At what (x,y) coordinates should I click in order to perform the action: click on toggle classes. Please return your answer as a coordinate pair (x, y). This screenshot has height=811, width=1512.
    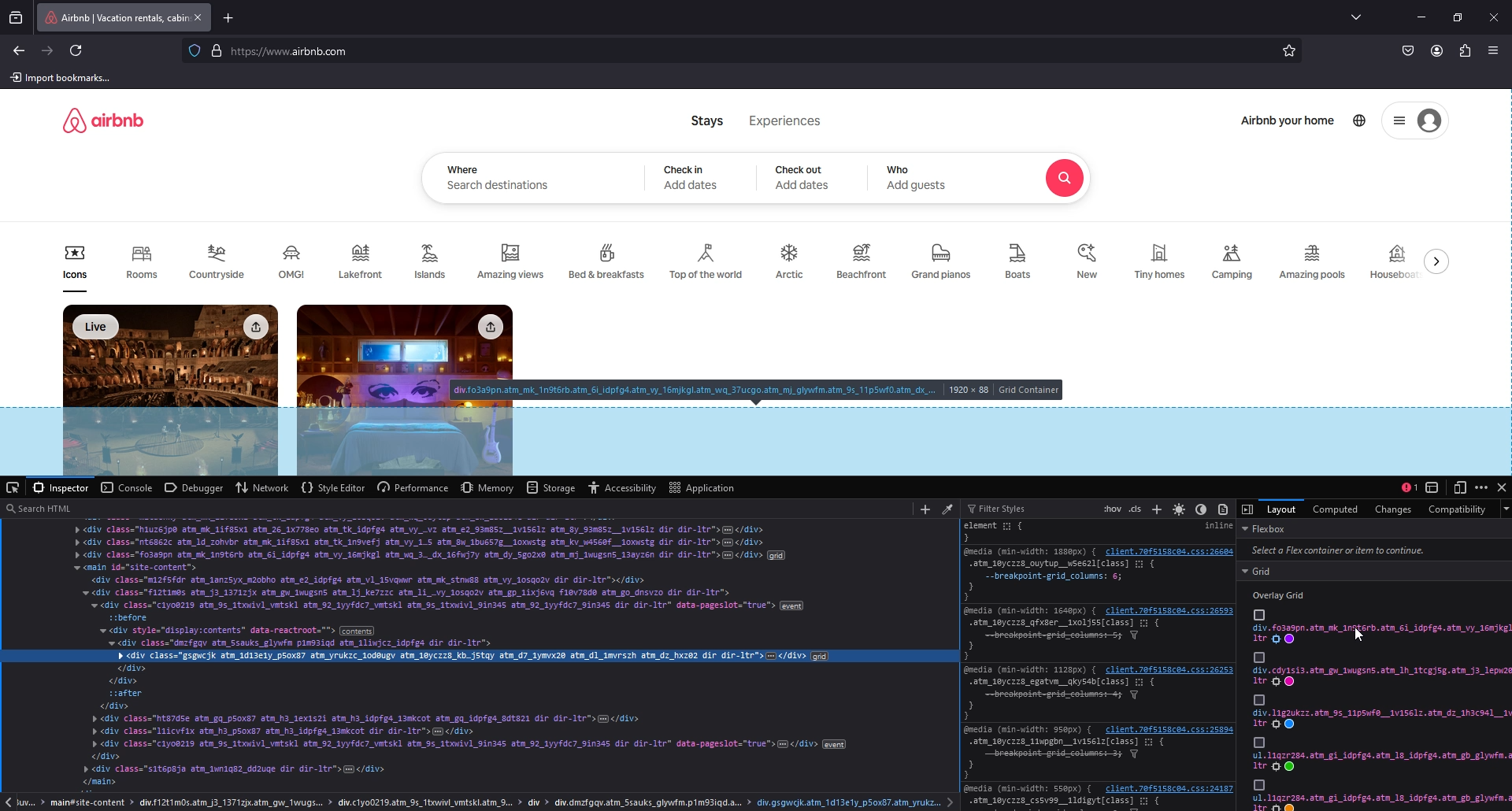
    Looking at the image, I should click on (1136, 509).